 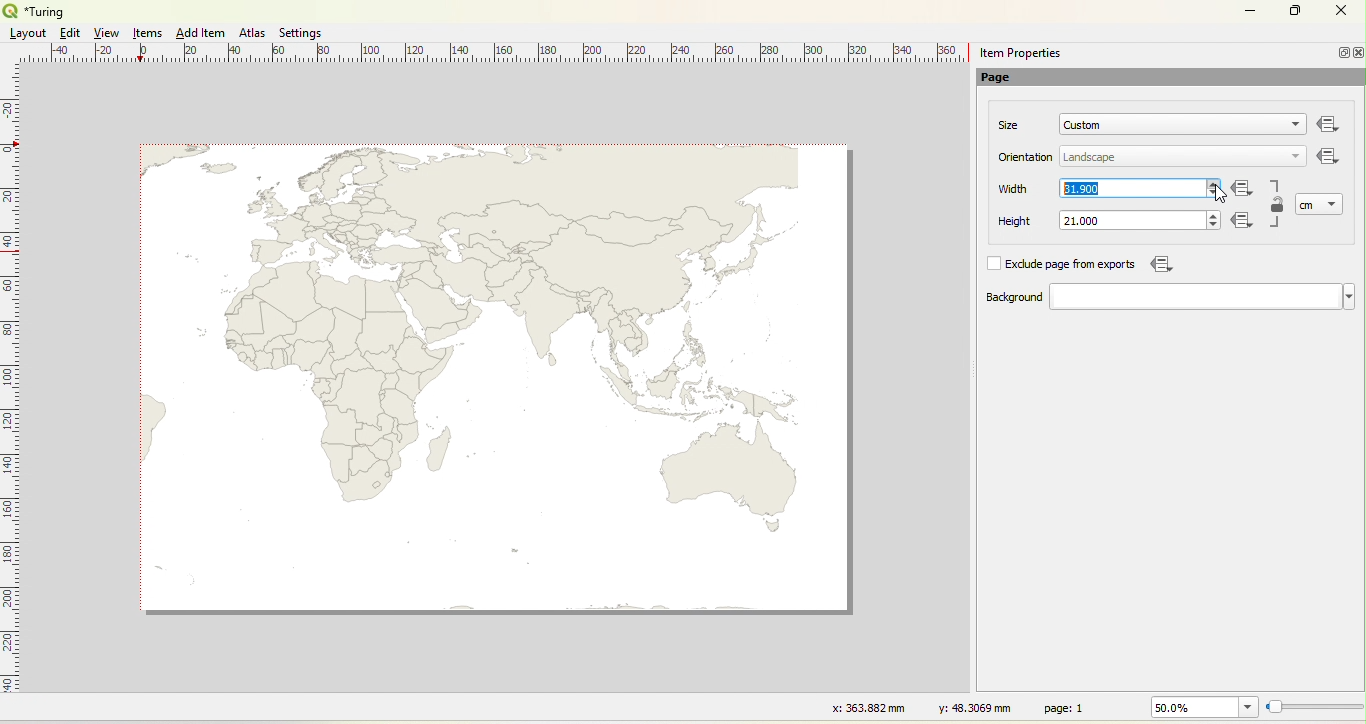 I want to click on item properties, so click(x=1020, y=53).